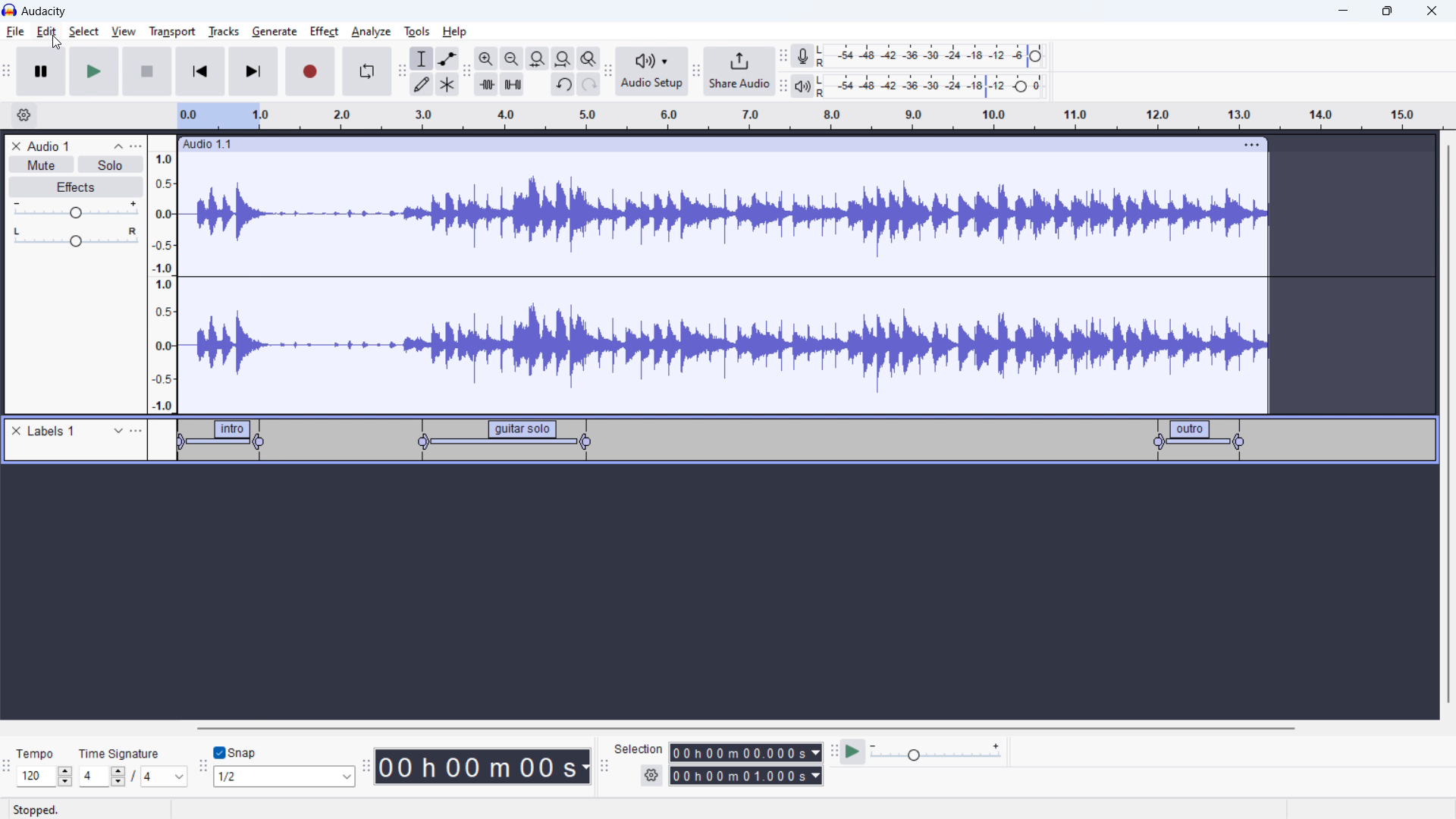 The width and height of the screenshot is (1456, 819). Describe the element at coordinates (124, 31) in the screenshot. I see `view` at that location.